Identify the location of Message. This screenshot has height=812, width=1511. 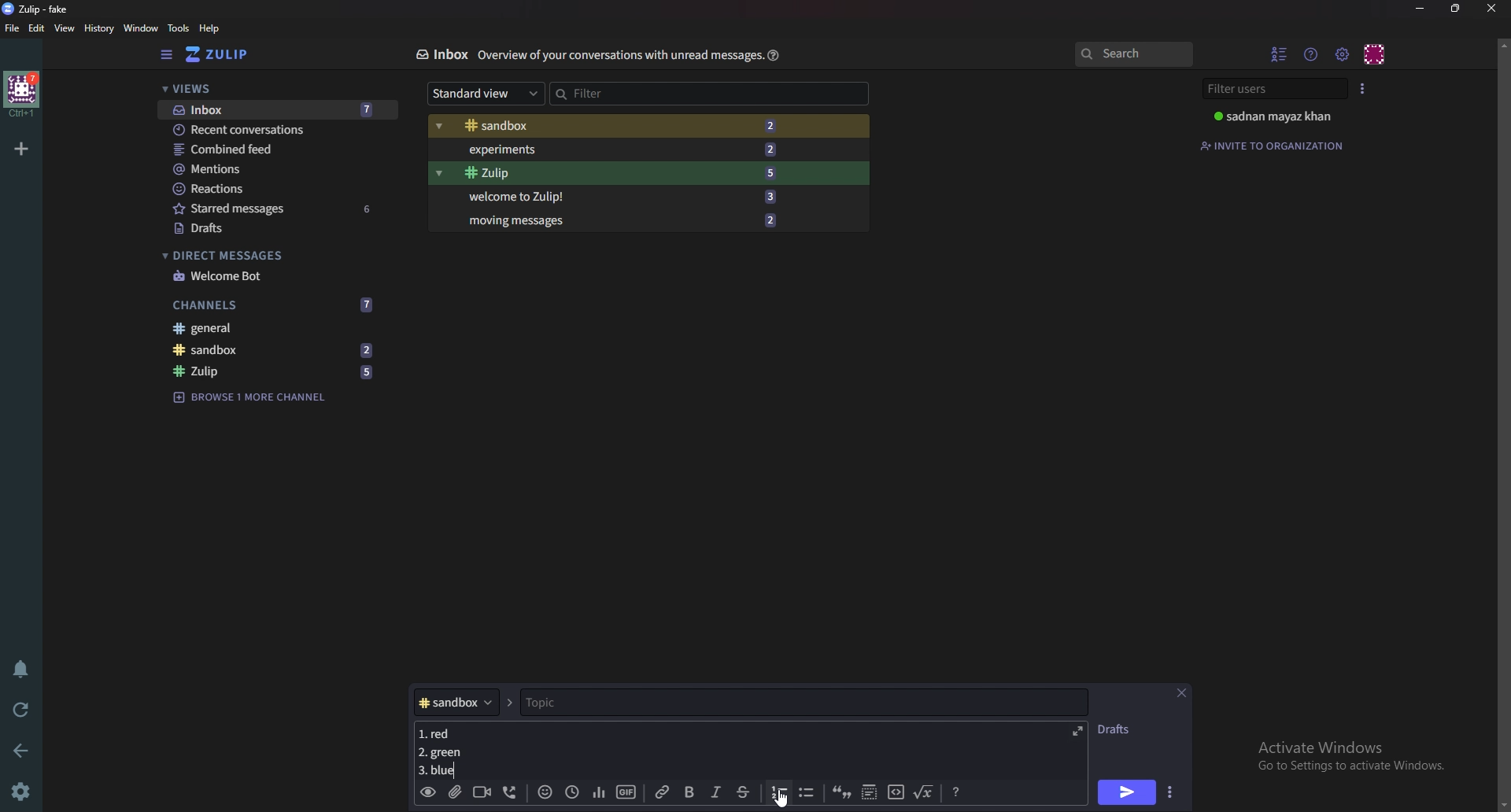
(438, 750).